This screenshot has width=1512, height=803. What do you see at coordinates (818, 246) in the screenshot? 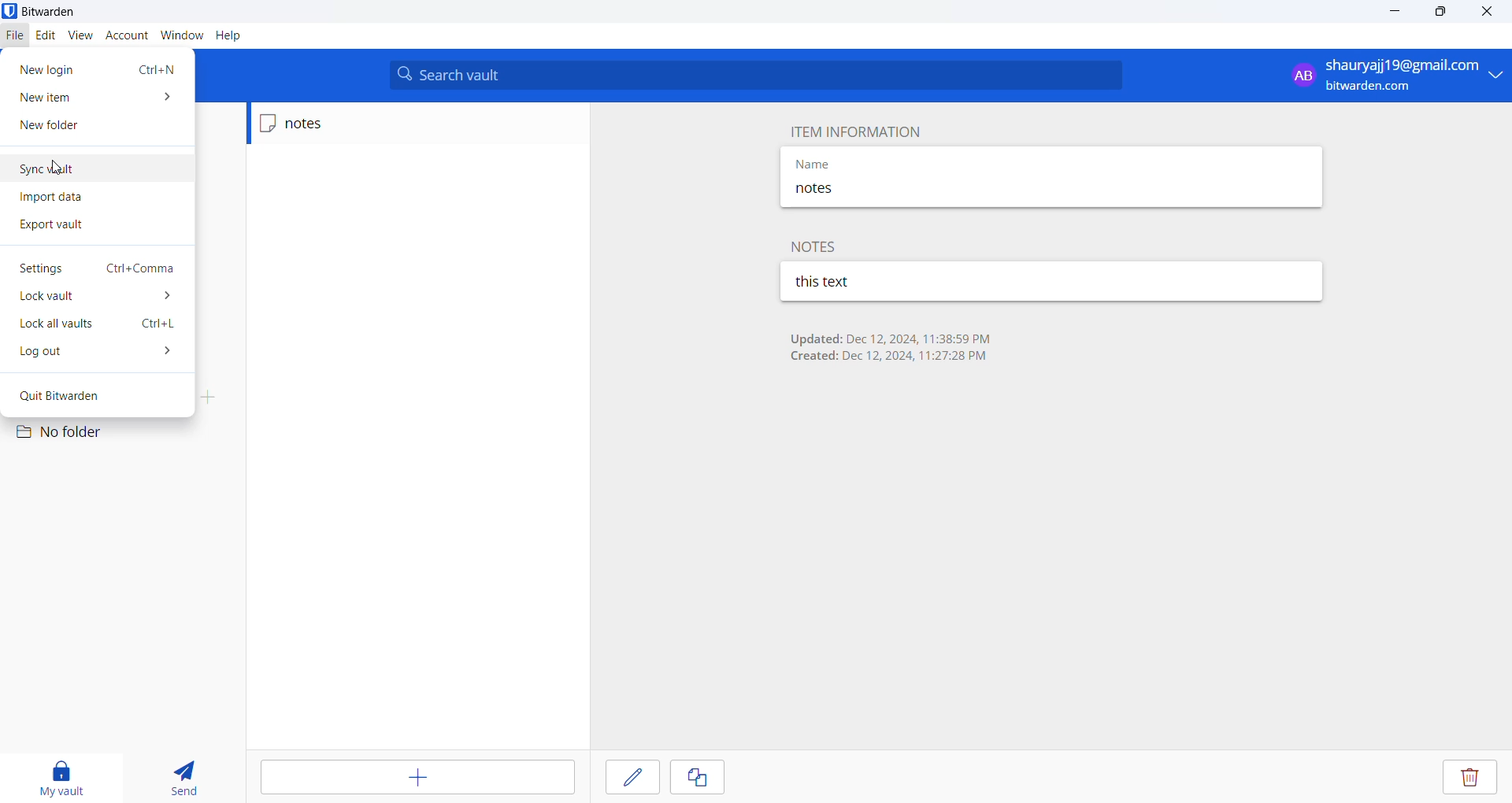
I see `Notes` at bounding box center [818, 246].